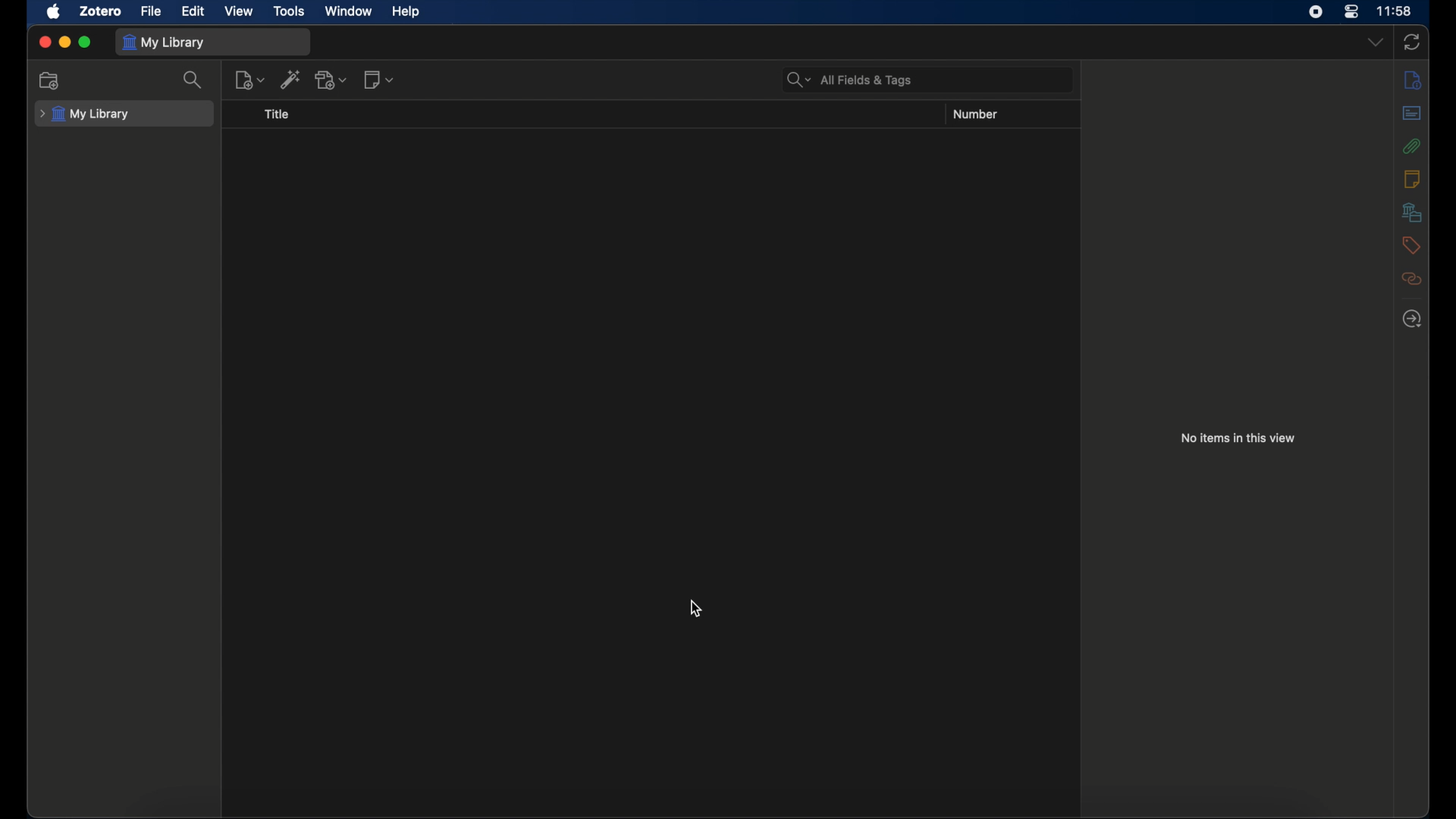  I want to click on window, so click(350, 11).